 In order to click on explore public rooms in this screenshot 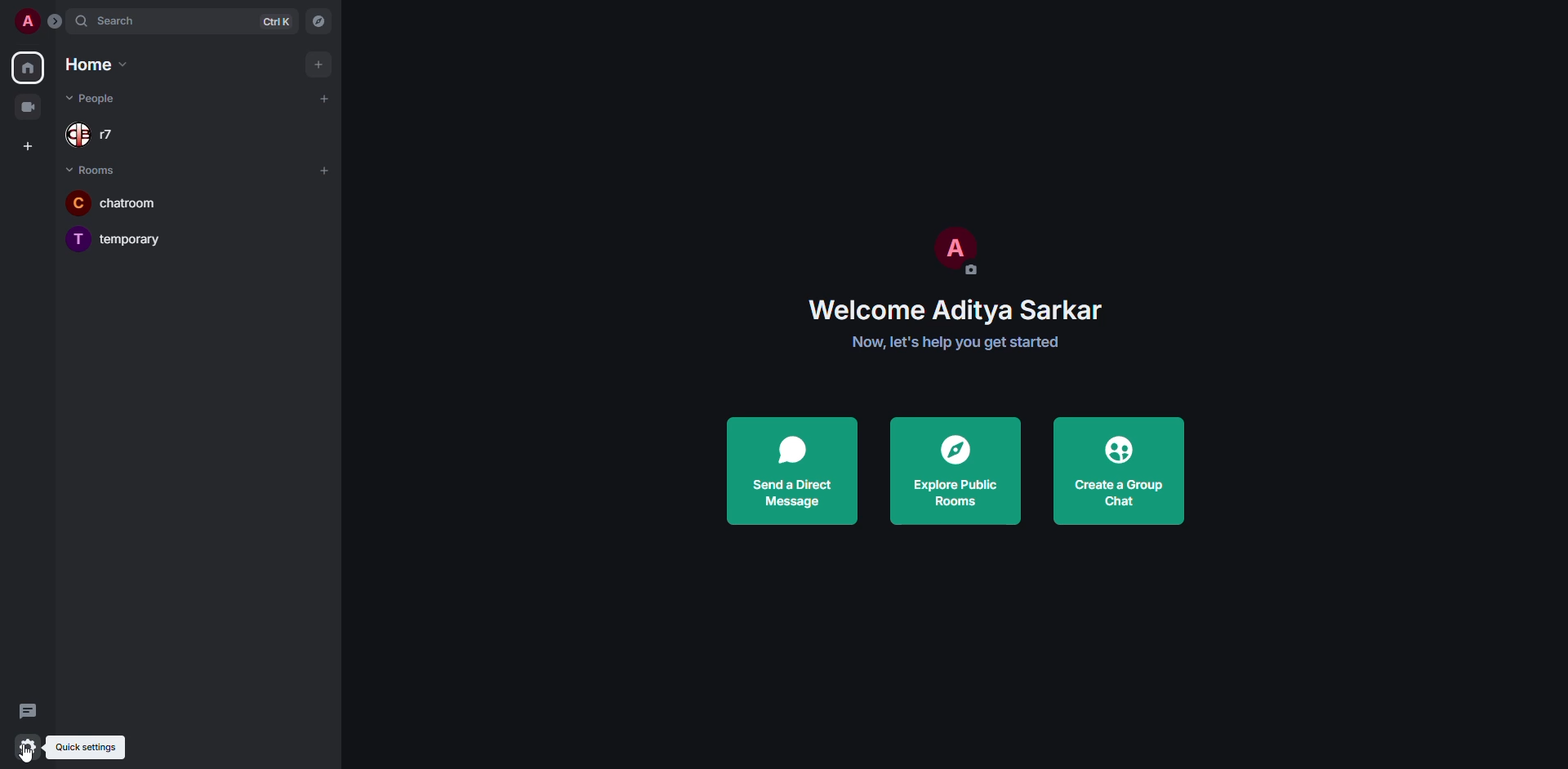, I will do `click(953, 471)`.